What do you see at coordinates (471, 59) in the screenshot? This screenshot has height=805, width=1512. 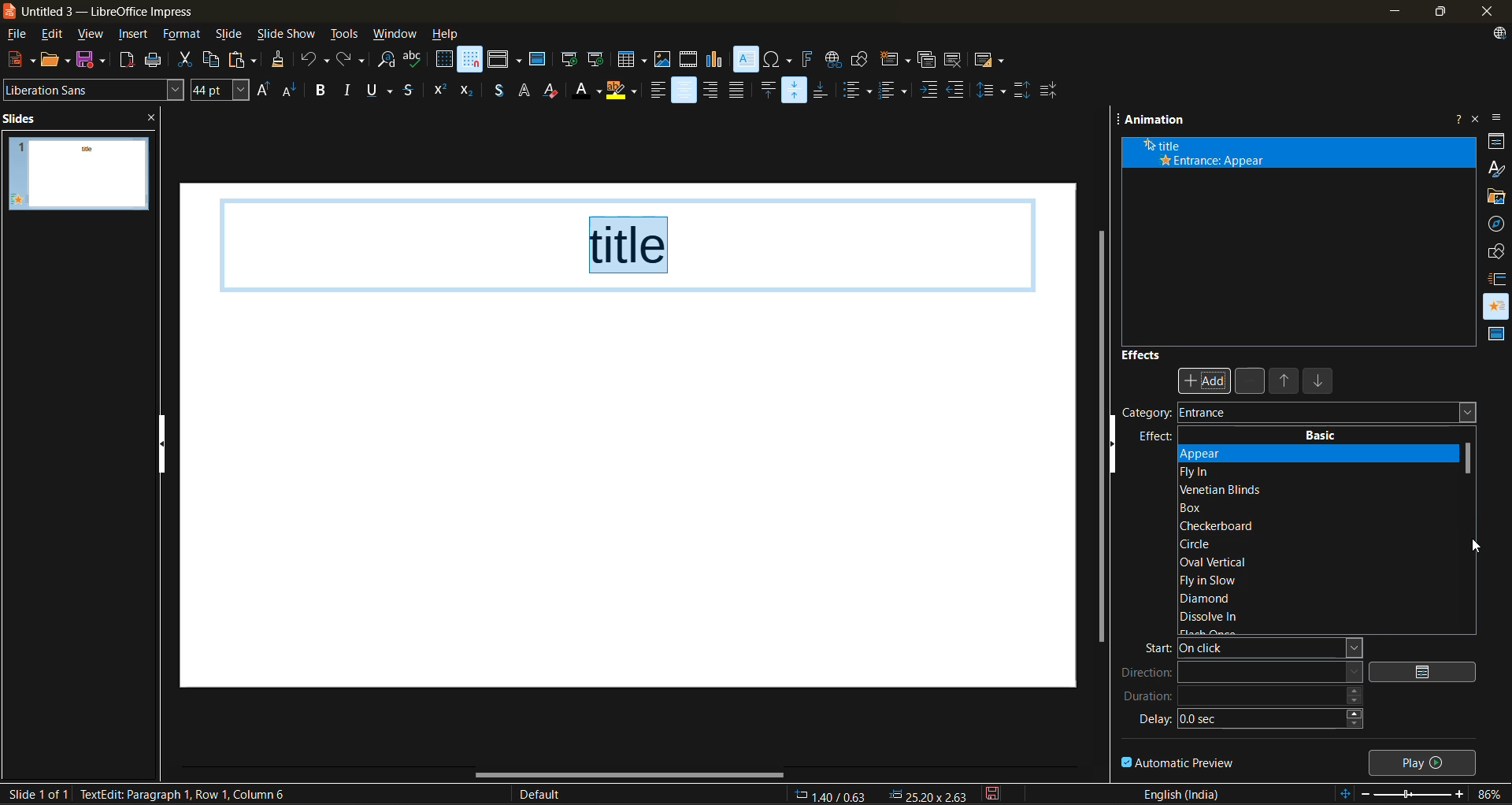 I see `snap to grid` at bounding box center [471, 59].